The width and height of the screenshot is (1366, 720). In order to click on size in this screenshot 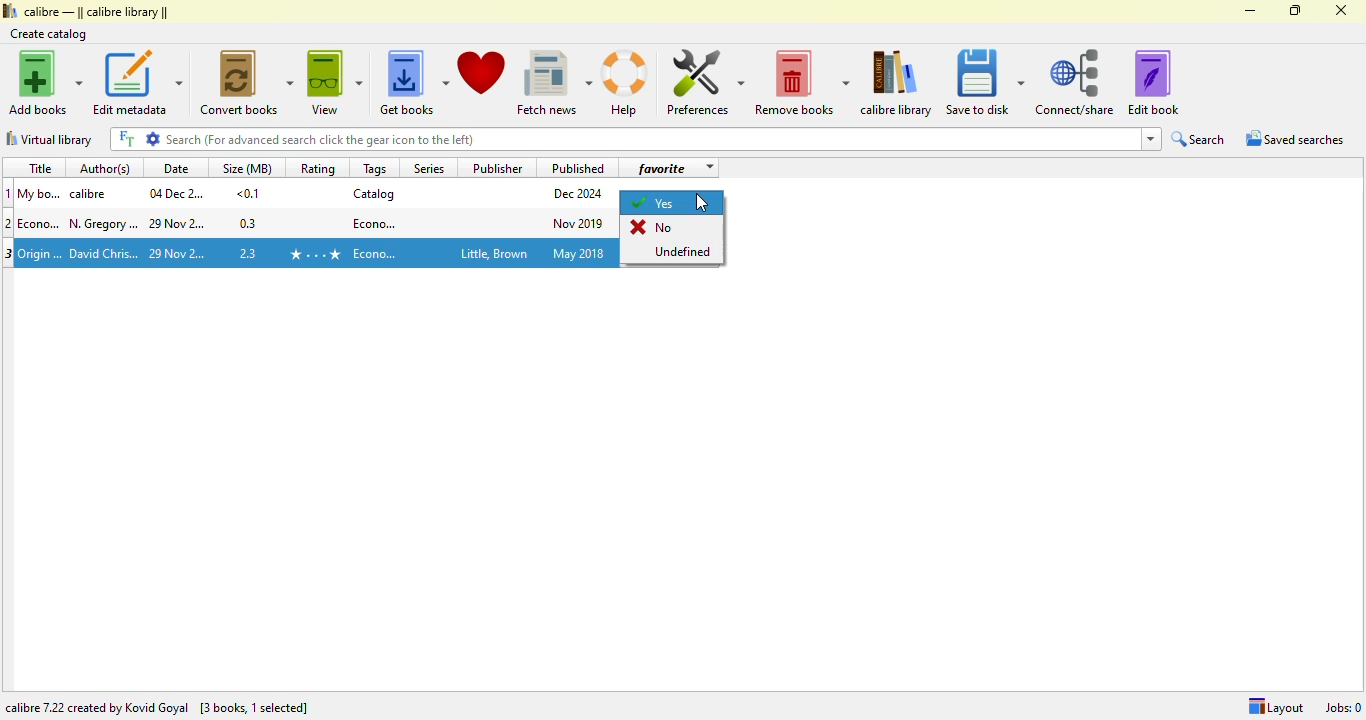, I will do `click(249, 223)`.